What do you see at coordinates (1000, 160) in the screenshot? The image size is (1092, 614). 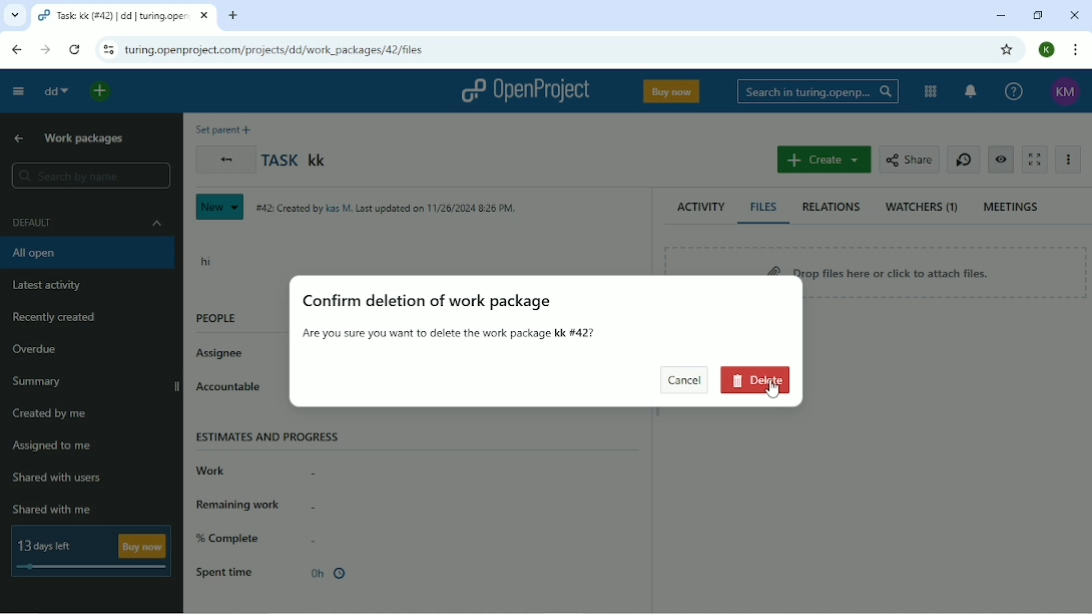 I see `Unwatch work package` at bounding box center [1000, 160].